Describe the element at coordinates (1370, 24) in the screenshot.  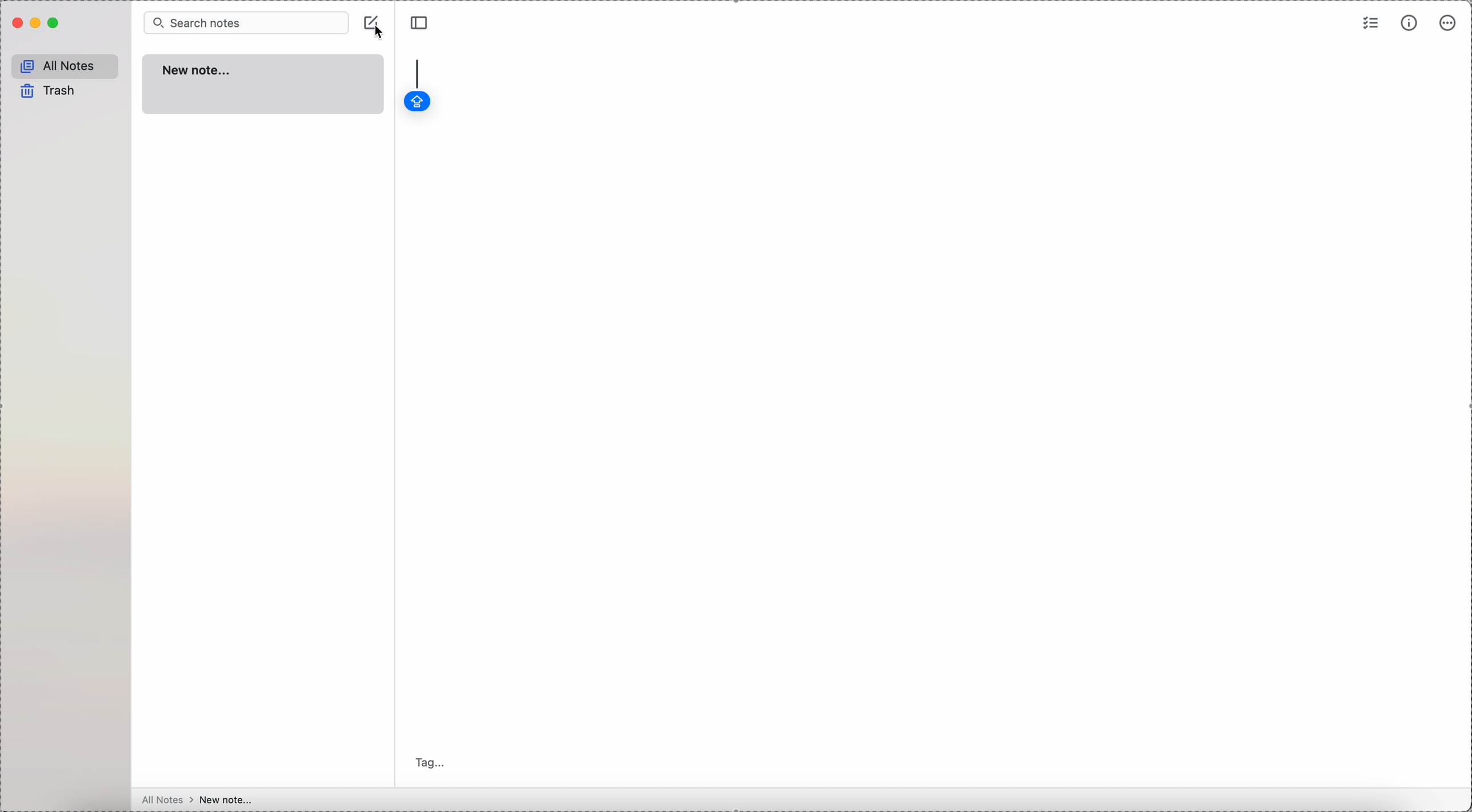
I see `check list` at that location.